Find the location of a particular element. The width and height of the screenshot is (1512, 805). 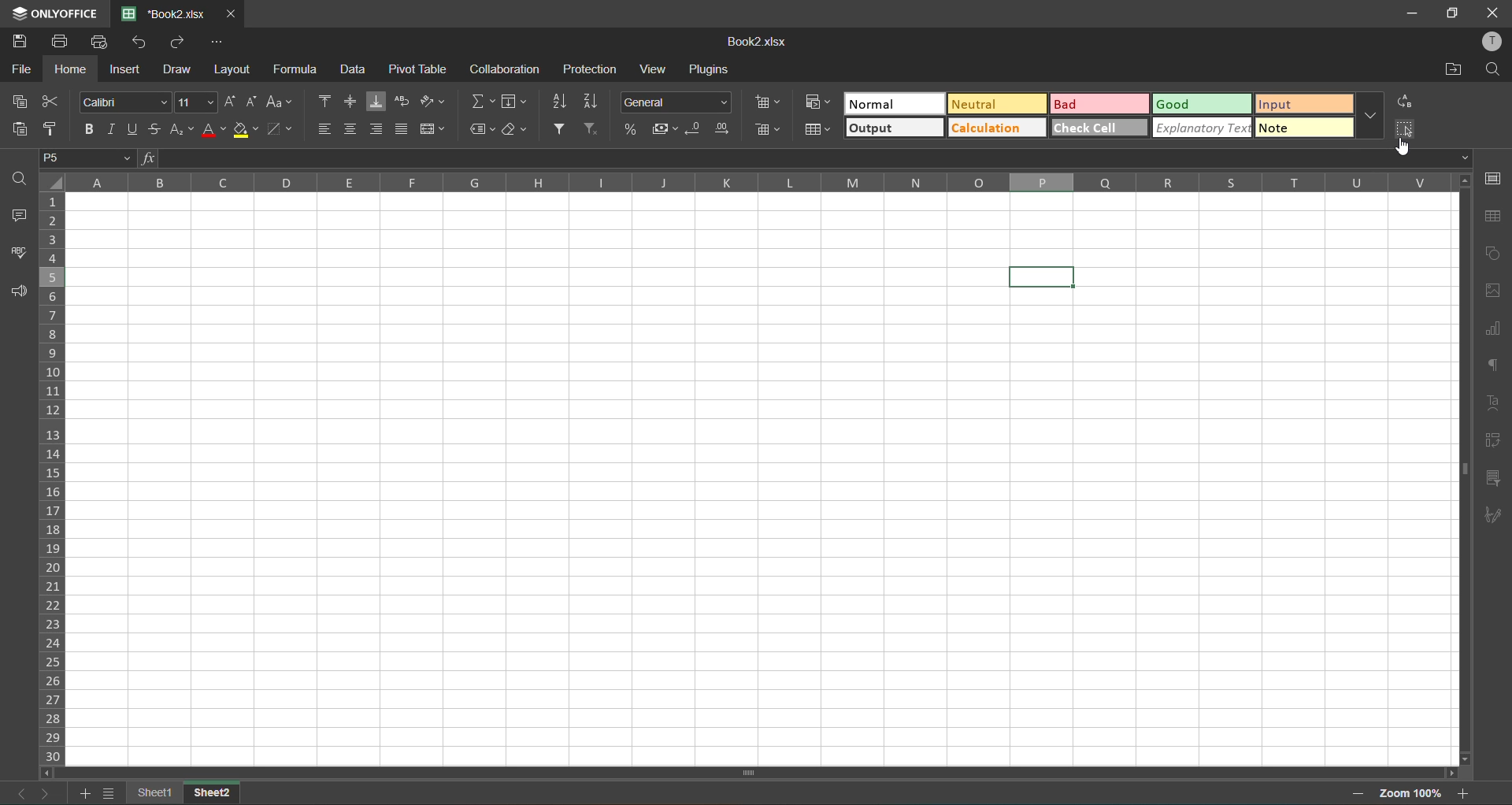

check cell is located at coordinates (1095, 126).